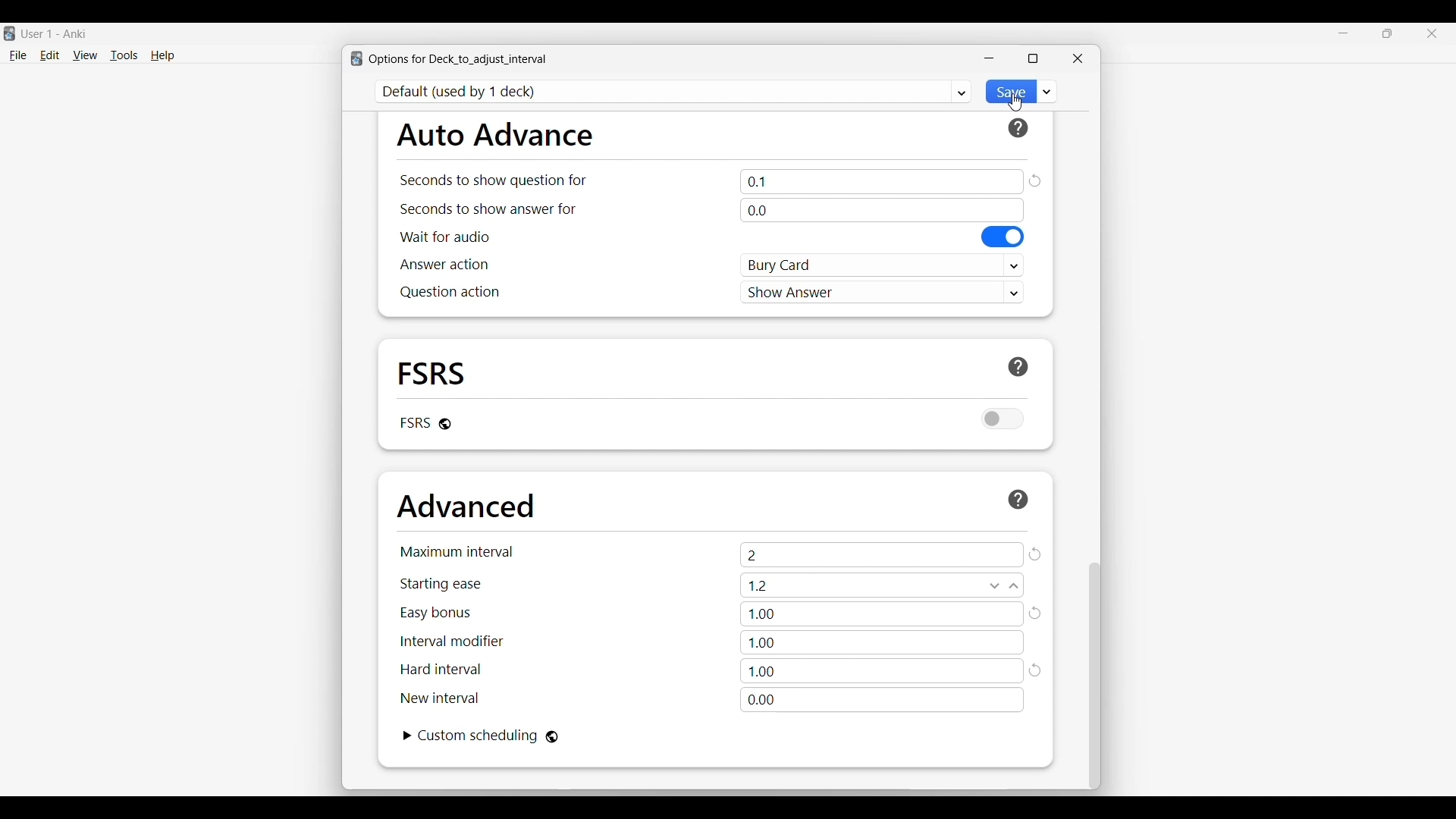 Image resolution: width=1456 pixels, height=819 pixels. I want to click on 0.00, so click(882, 700).